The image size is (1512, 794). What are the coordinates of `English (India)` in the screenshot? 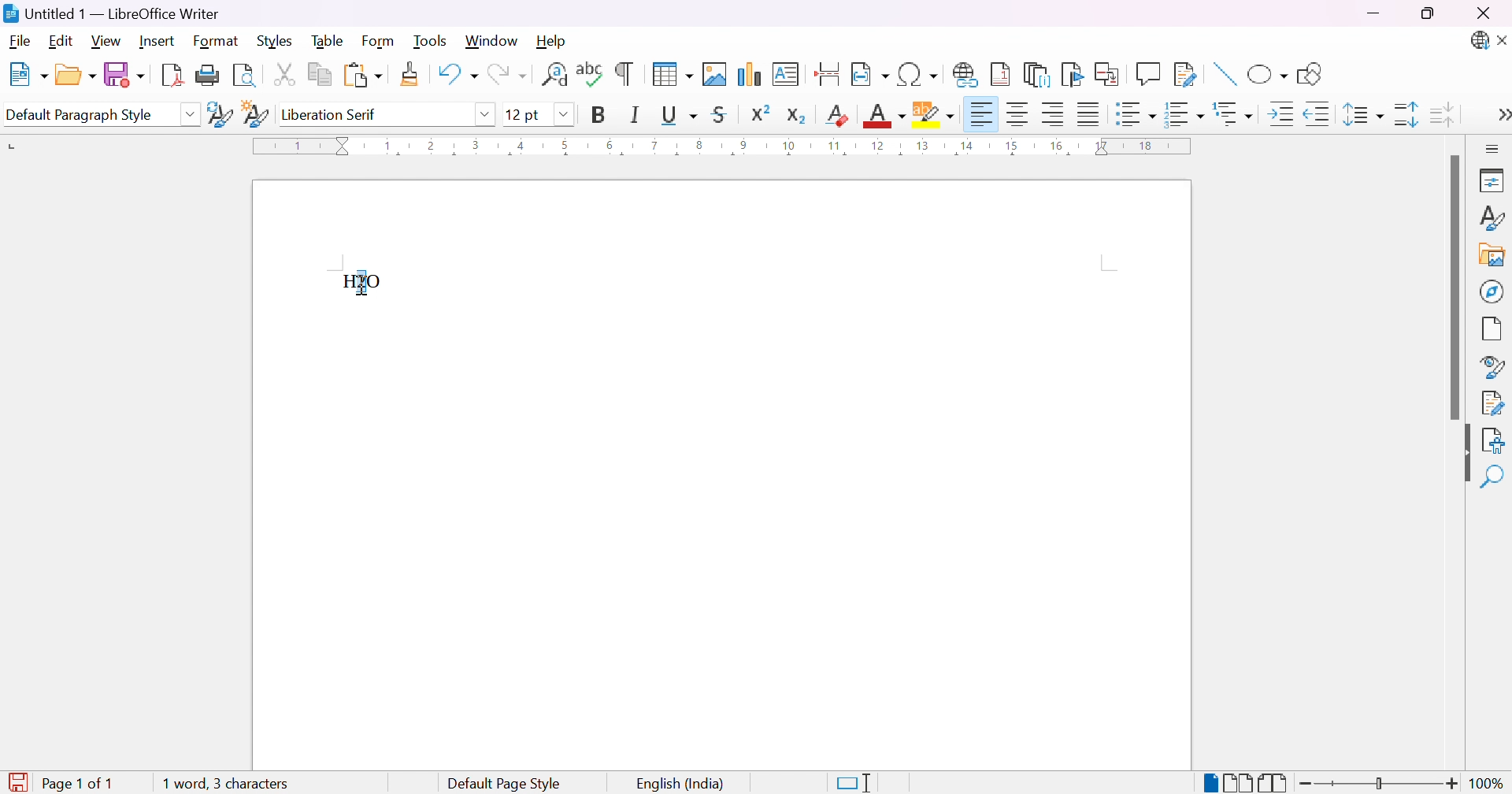 It's located at (681, 785).